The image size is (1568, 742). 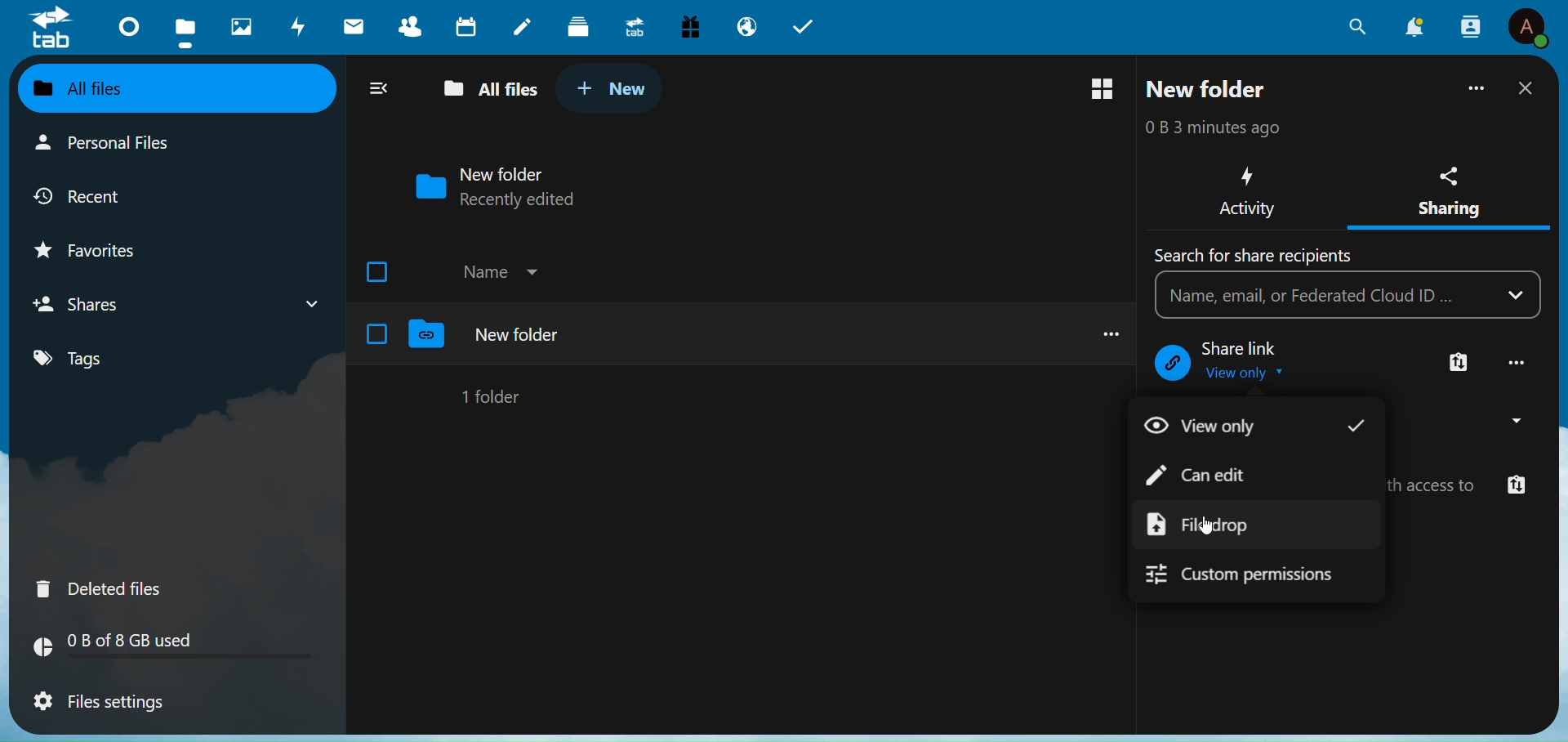 I want to click on Time, so click(x=1234, y=127).